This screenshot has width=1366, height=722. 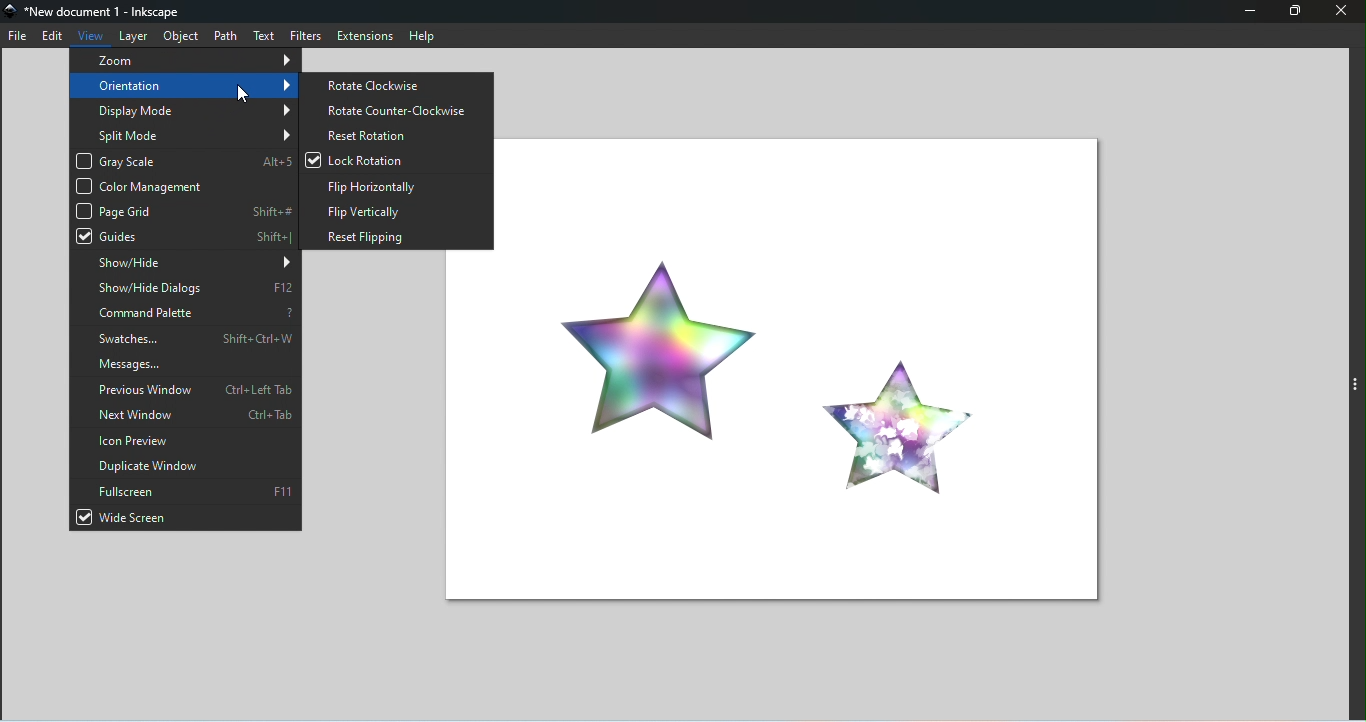 I want to click on Page grid, so click(x=183, y=210).